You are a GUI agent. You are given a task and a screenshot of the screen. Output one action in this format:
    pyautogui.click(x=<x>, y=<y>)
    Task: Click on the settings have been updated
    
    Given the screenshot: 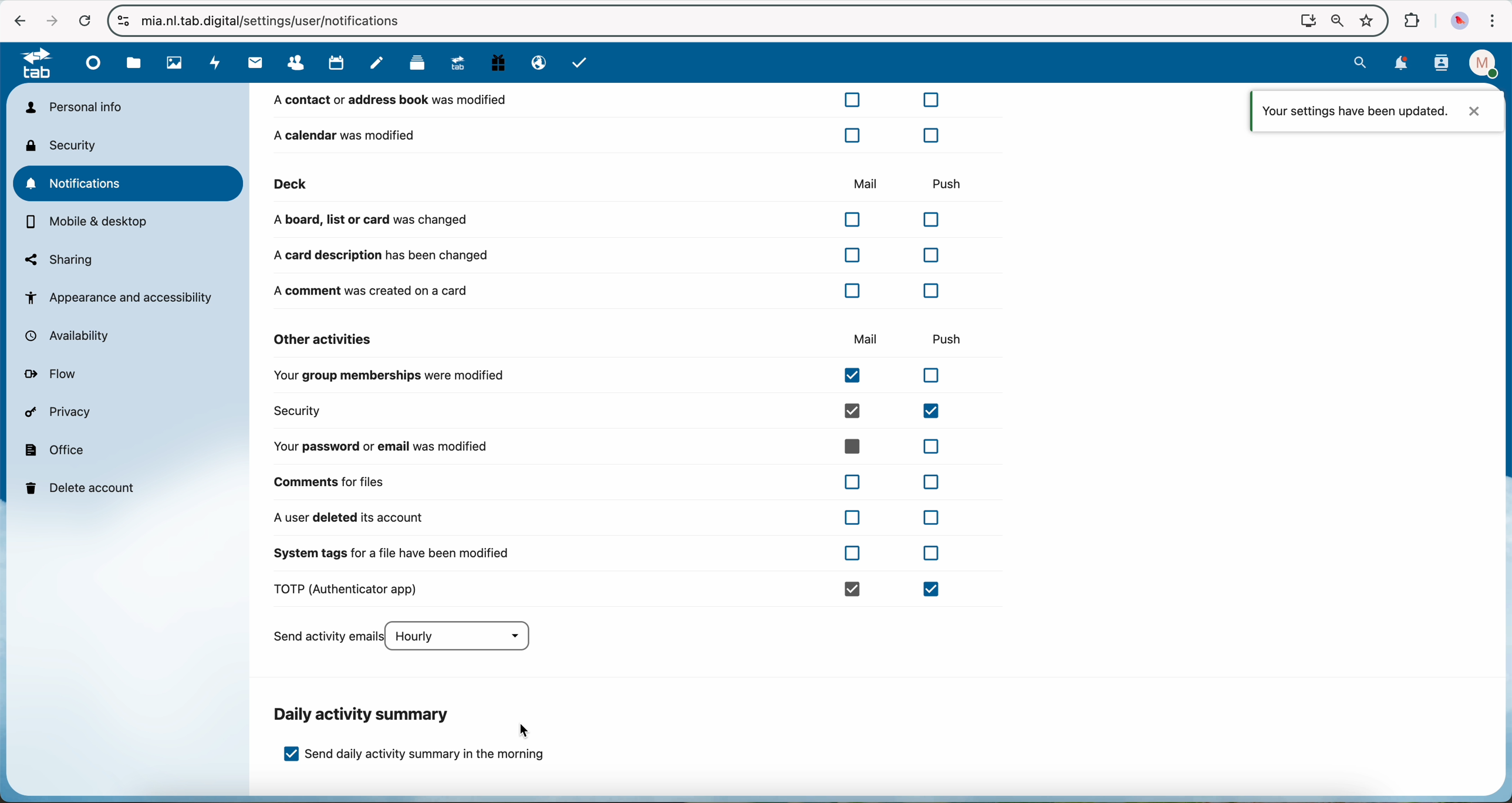 What is the action you would take?
    pyautogui.click(x=1378, y=110)
    